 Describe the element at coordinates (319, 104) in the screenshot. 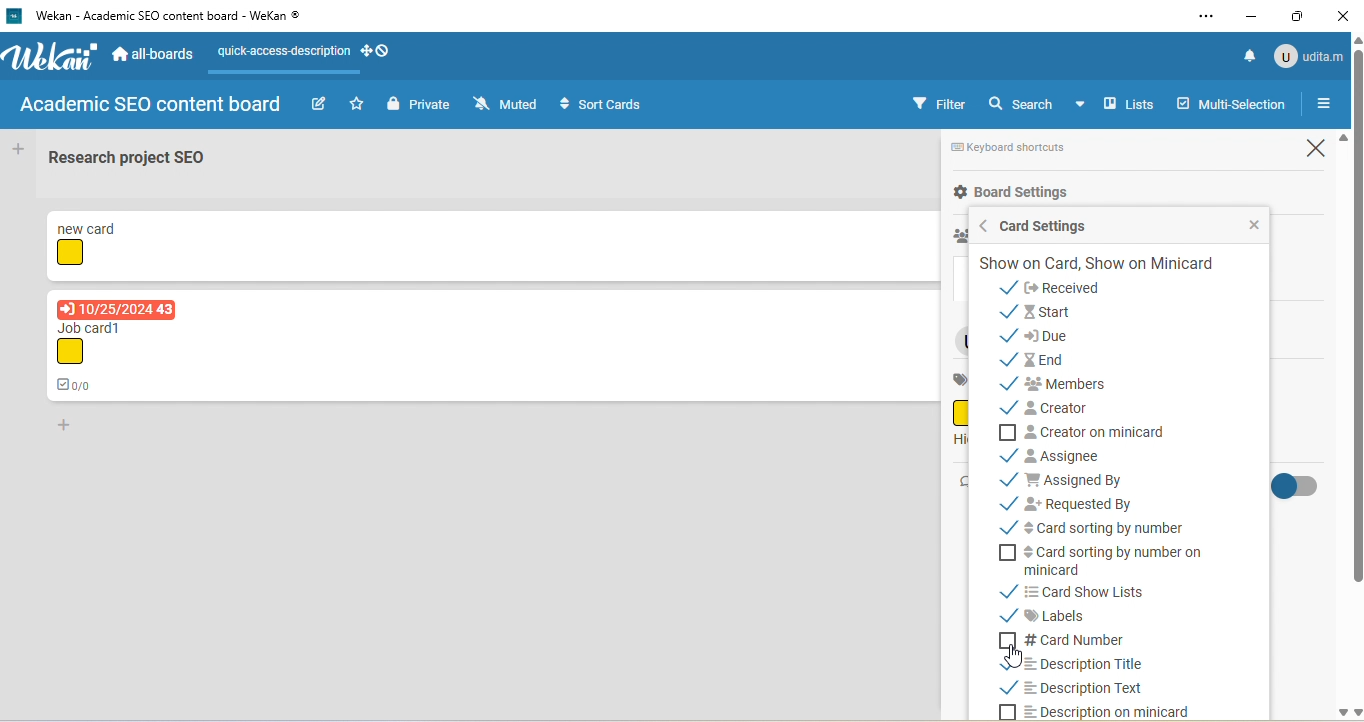

I see `edit` at that location.